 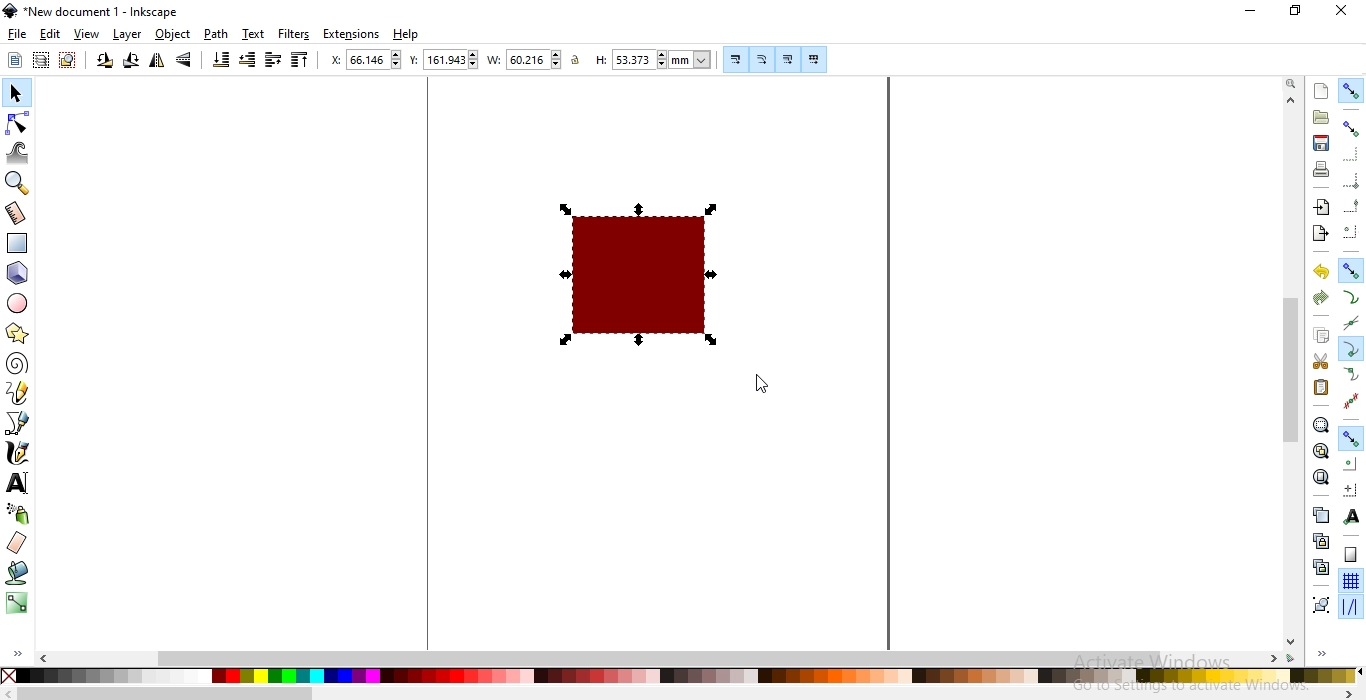 I want to click on filters, so click(x=295, y=34).